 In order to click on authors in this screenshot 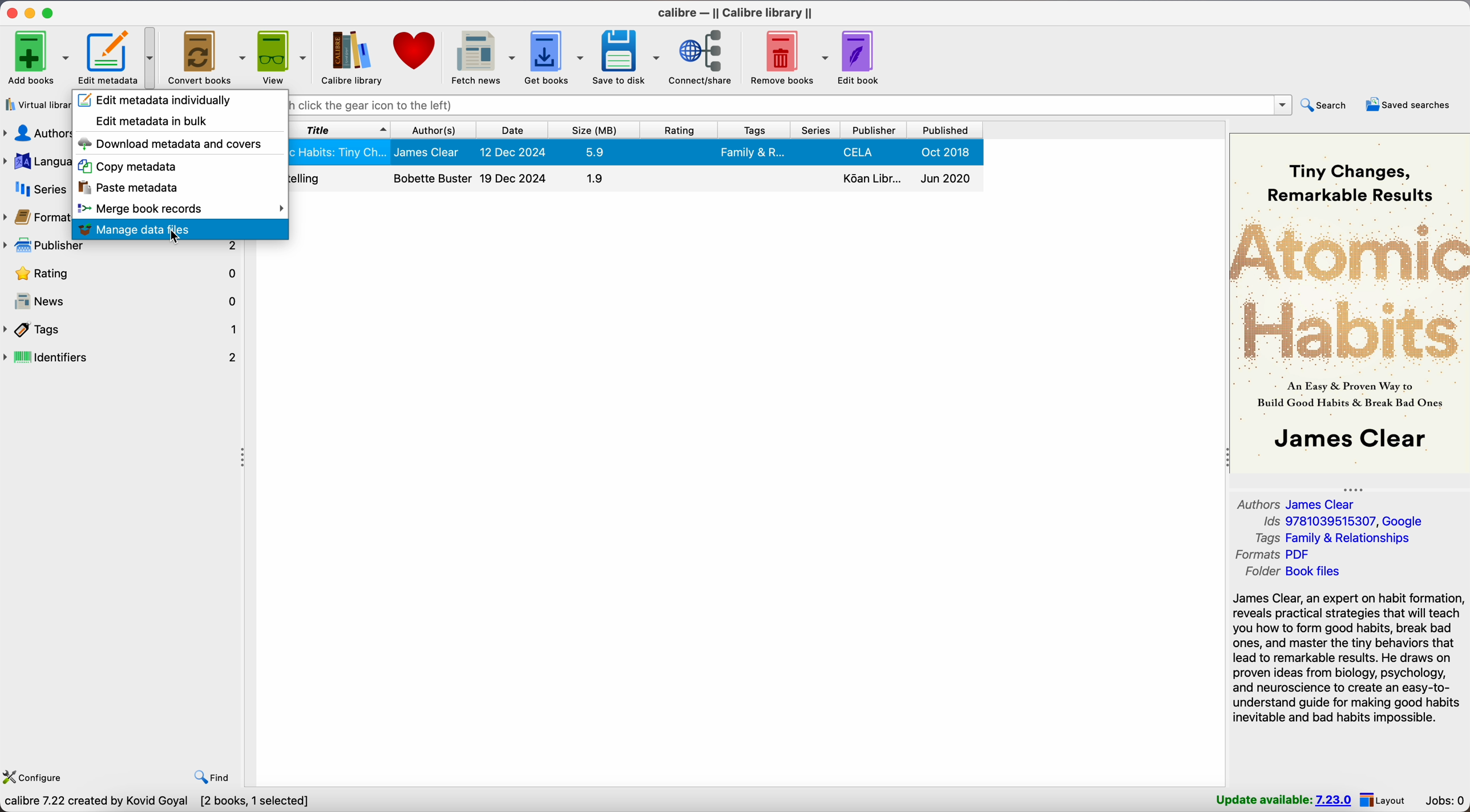, I will do `click(36, 134)`.